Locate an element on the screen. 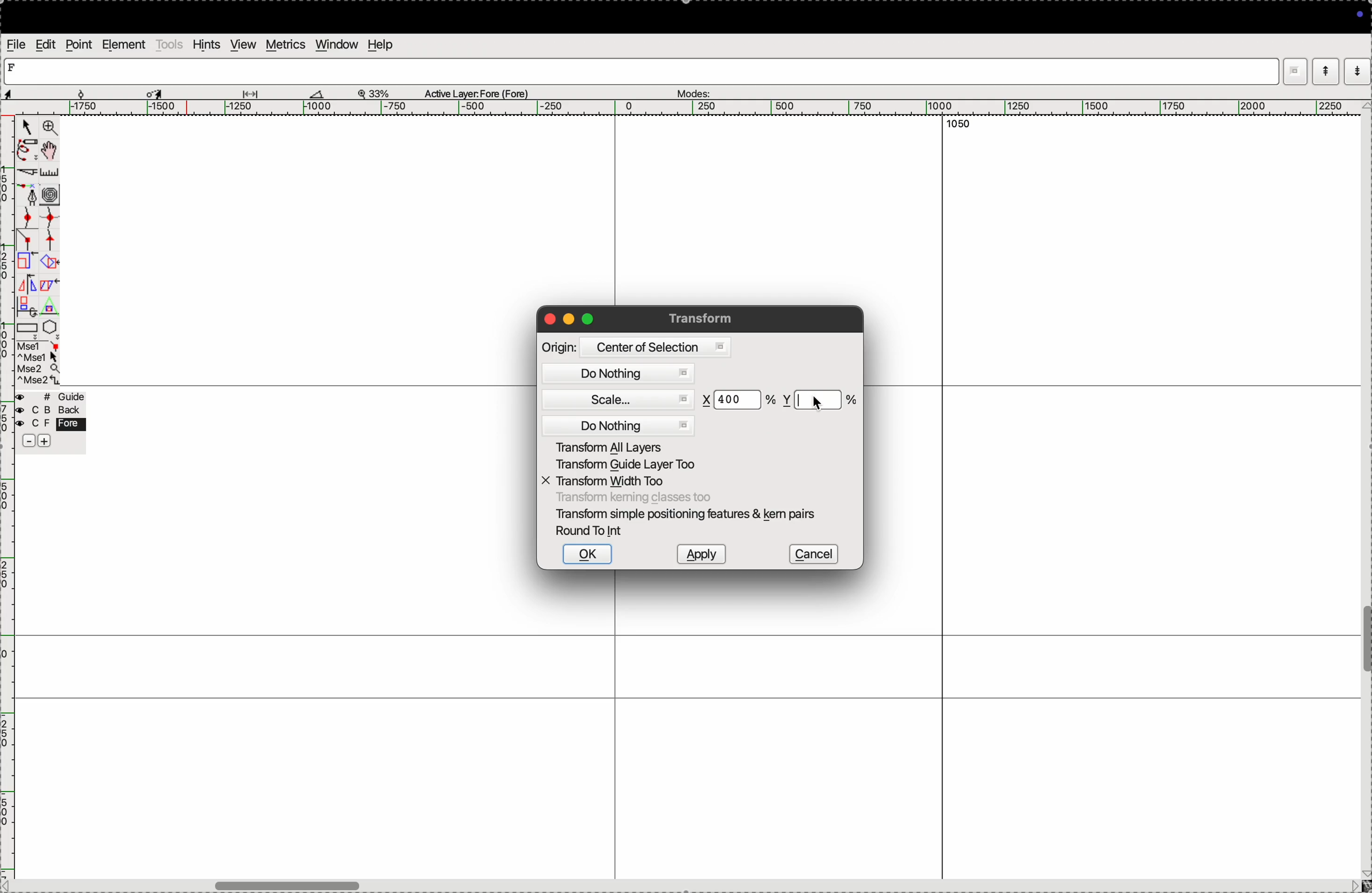 This screenshot has width=1372, height=893. Active layer is located at coordinates (477, 92).